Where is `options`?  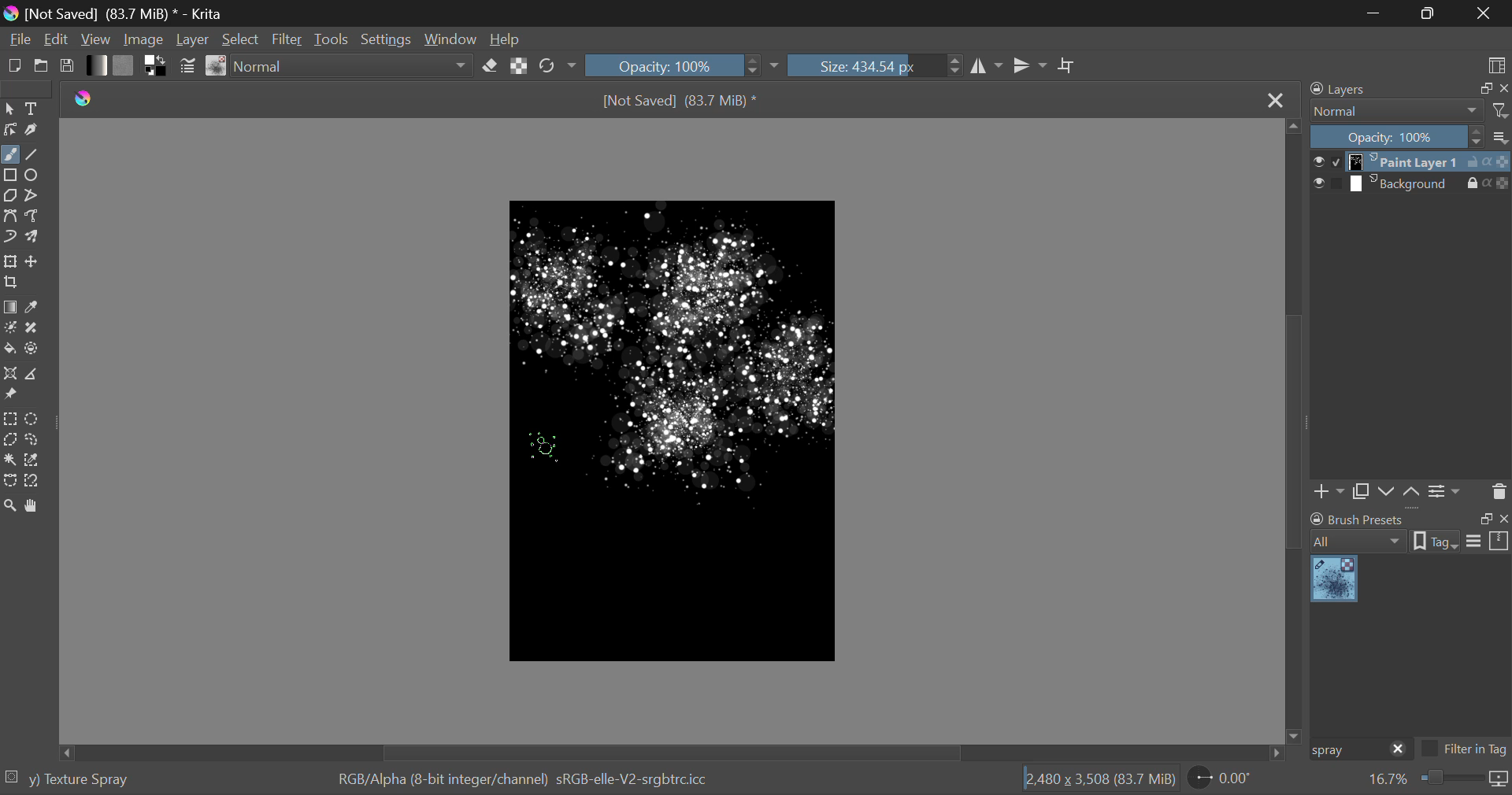
options is located at coordinates (1488, 540).